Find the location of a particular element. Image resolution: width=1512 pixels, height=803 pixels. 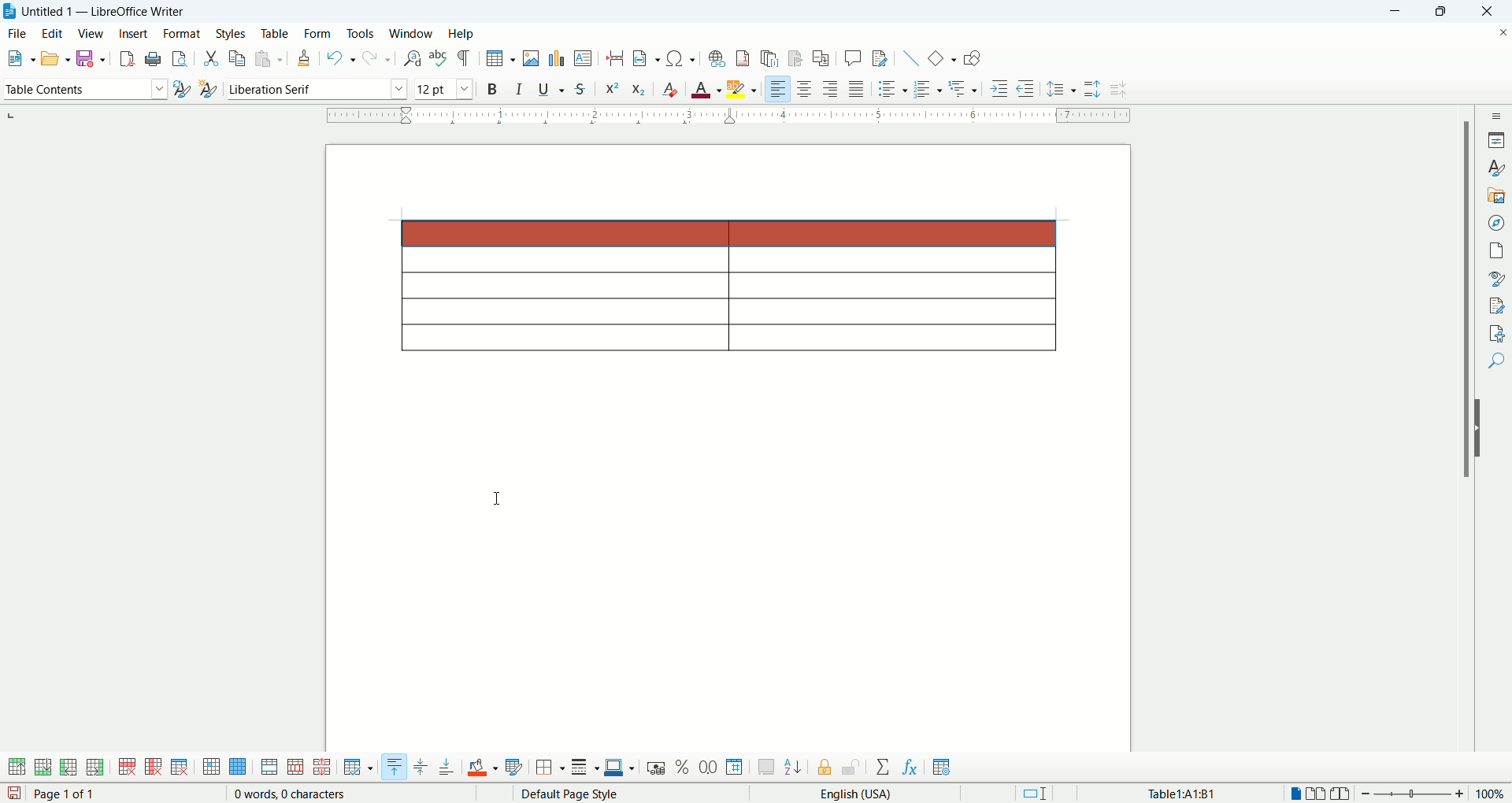

insert row above is located at coordinates (18, 767).